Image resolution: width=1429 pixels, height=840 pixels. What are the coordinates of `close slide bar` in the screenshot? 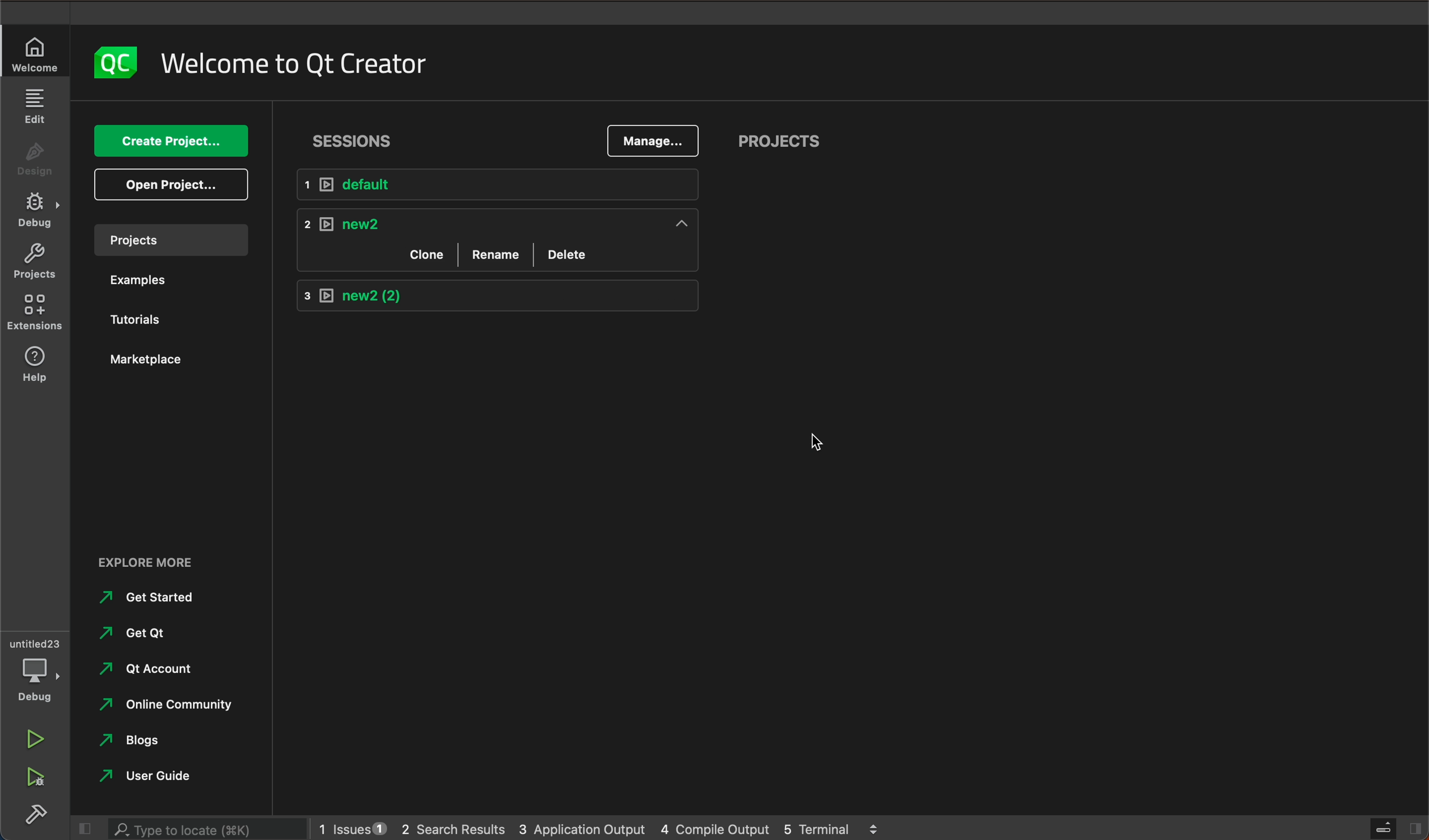 It's located at (83, 828).